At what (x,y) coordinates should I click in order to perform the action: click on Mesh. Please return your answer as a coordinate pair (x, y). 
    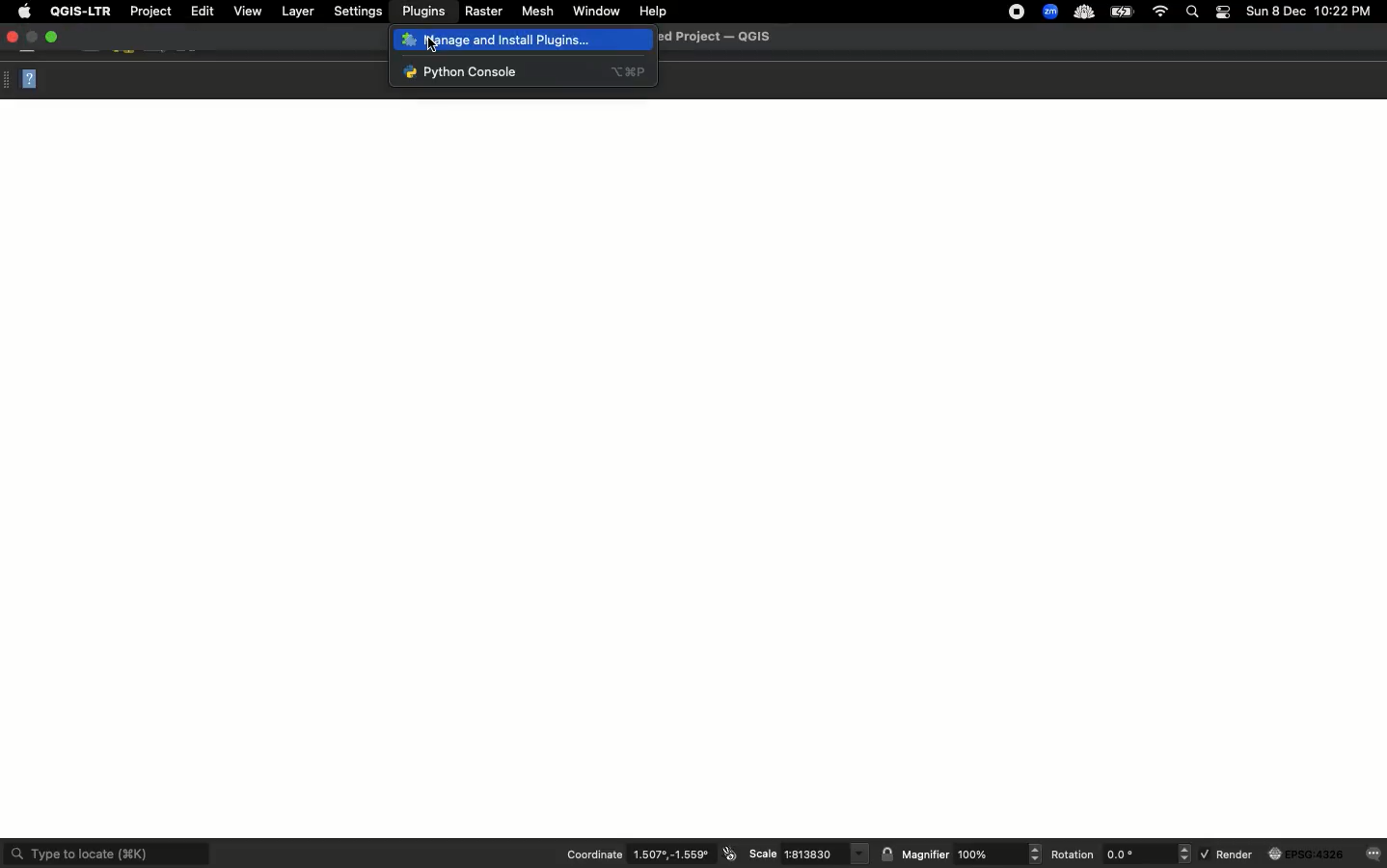
    Looking at the image, I should click on (537, 12).